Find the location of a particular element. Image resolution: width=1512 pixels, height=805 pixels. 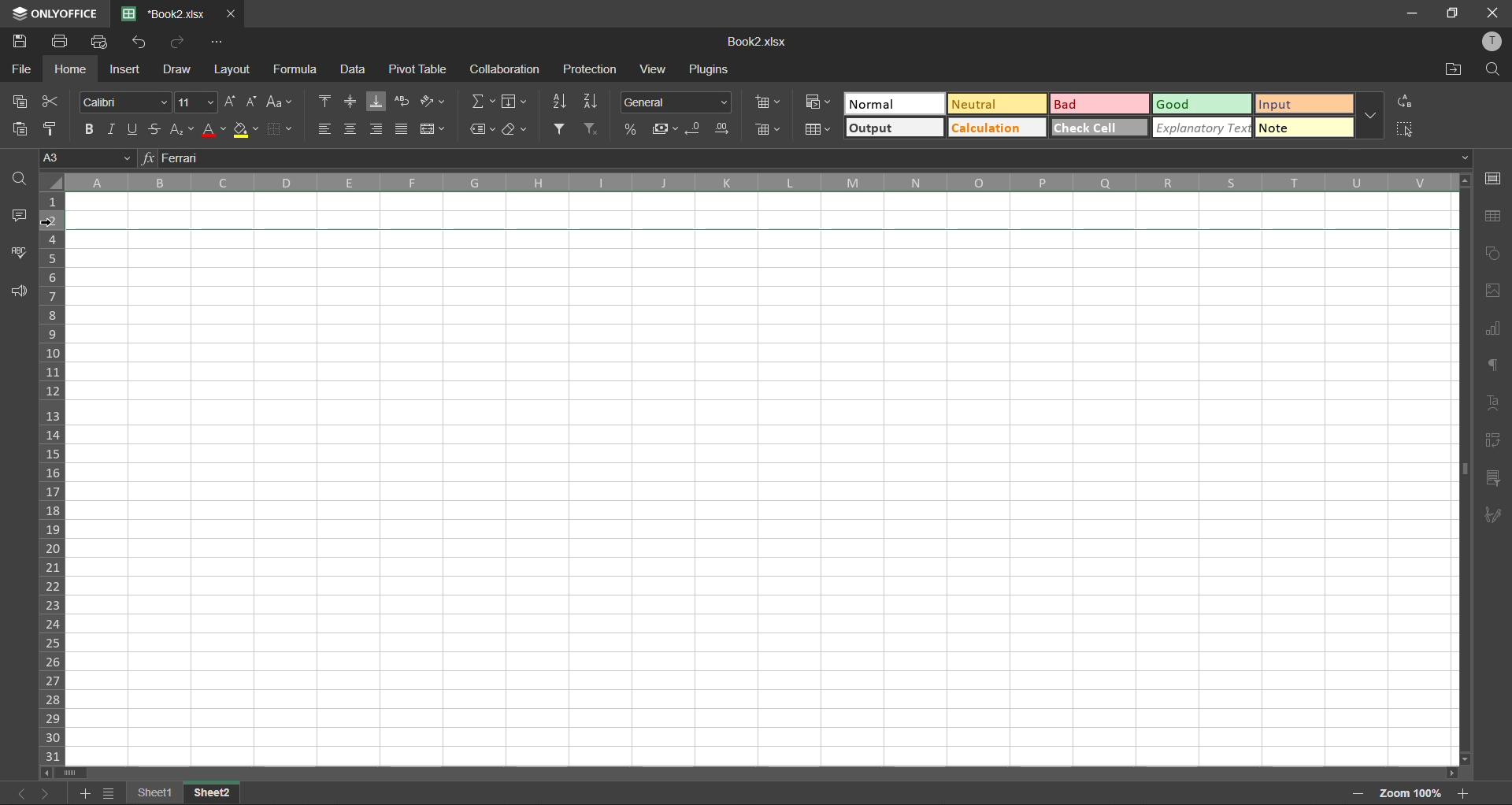

collaboration is located at coordinates (503, 69).